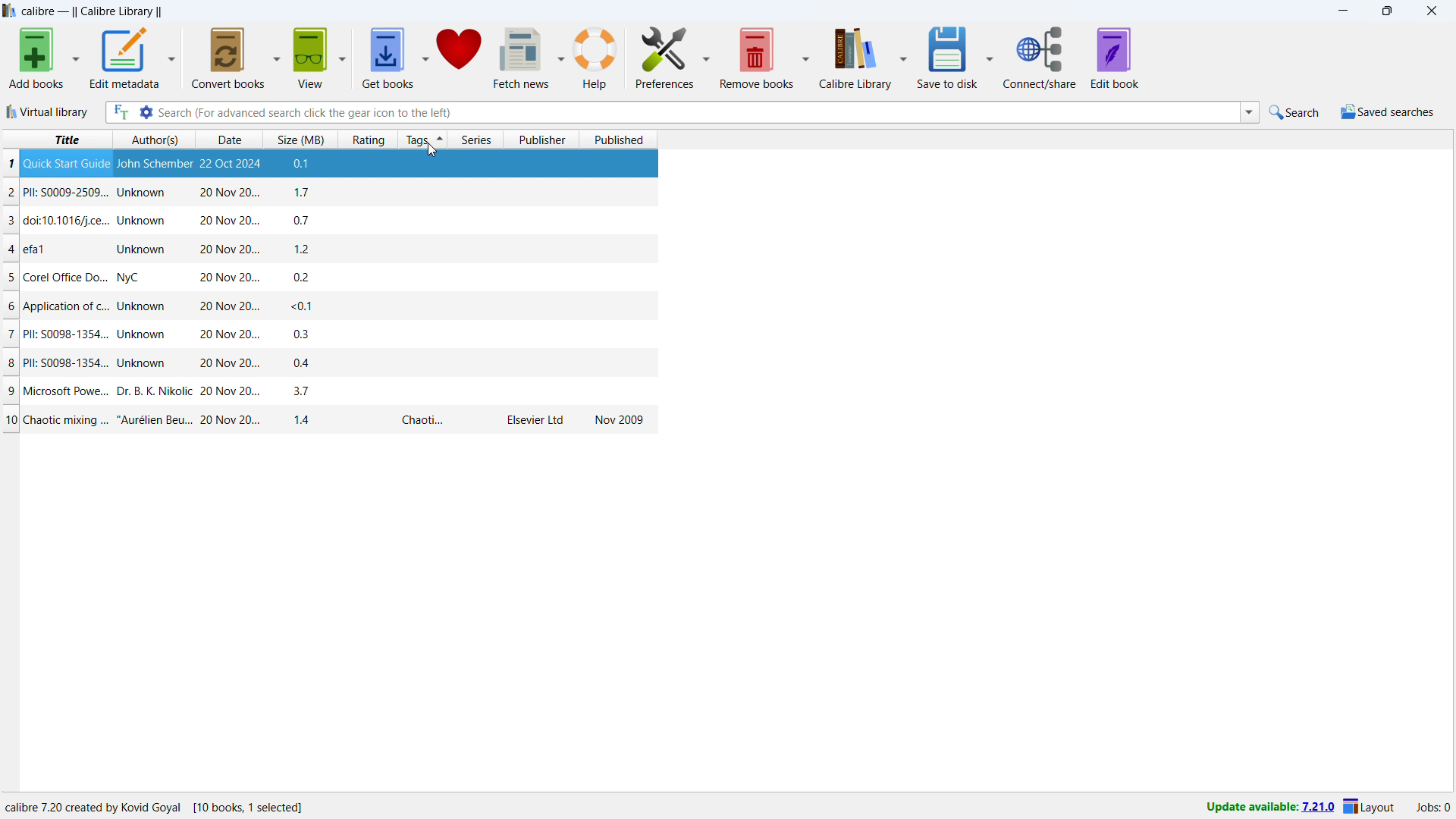  What do you see at coordinates (664, 55) in the screenshot?
I see `preferences` at bounding box center [664, 55].